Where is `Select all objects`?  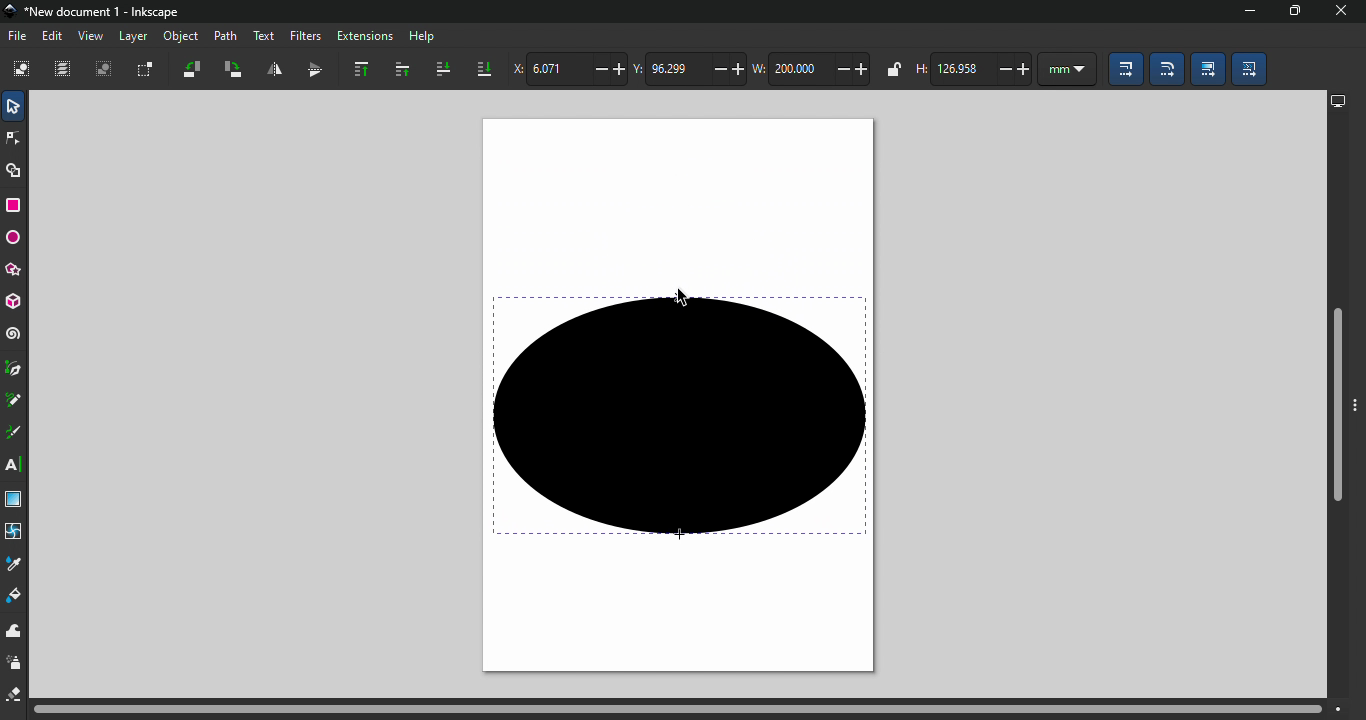 Select all objects is located at coordinates (25, 68).